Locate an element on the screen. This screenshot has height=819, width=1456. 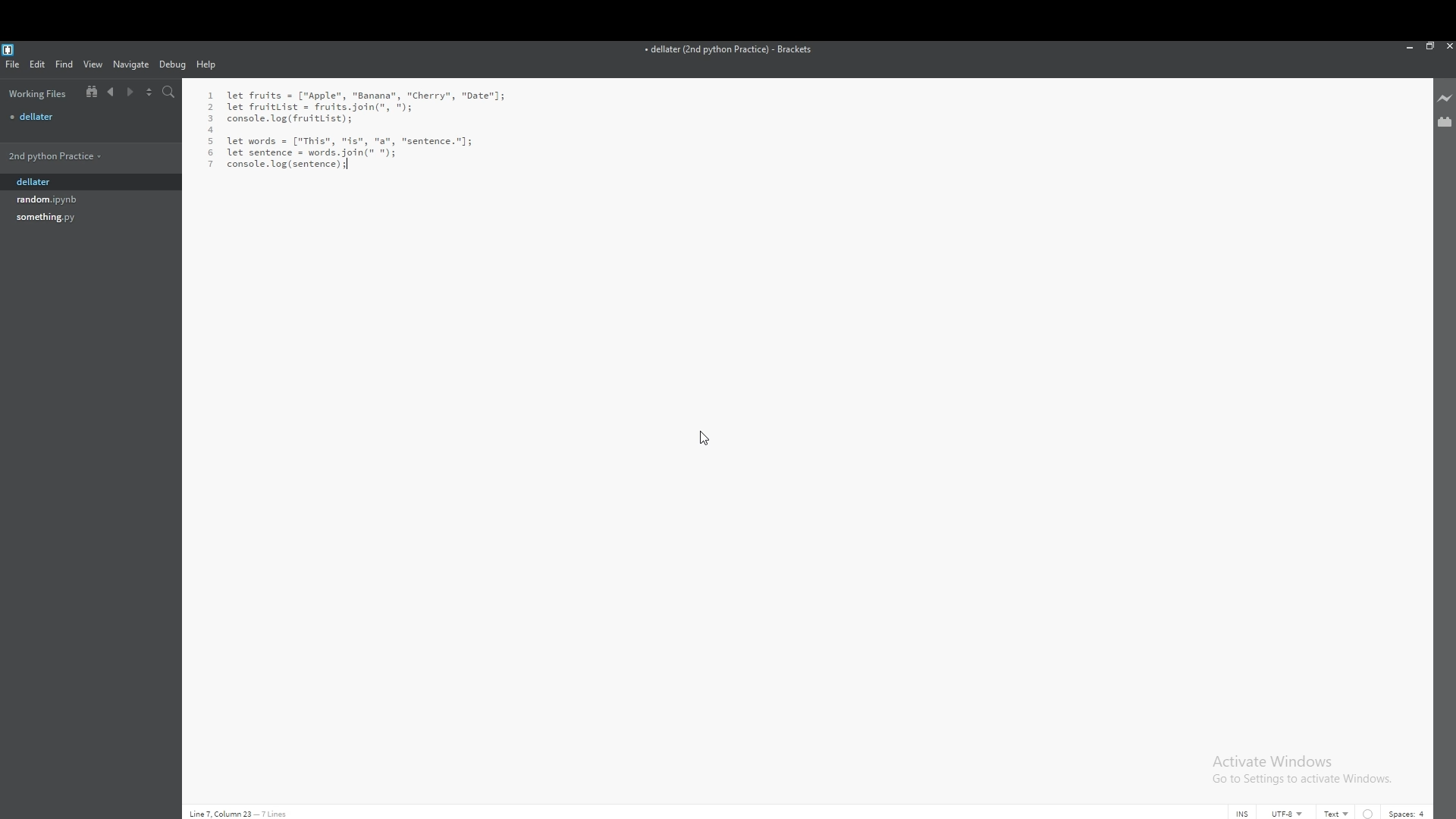
indent is located at coordinates (1368, 813).